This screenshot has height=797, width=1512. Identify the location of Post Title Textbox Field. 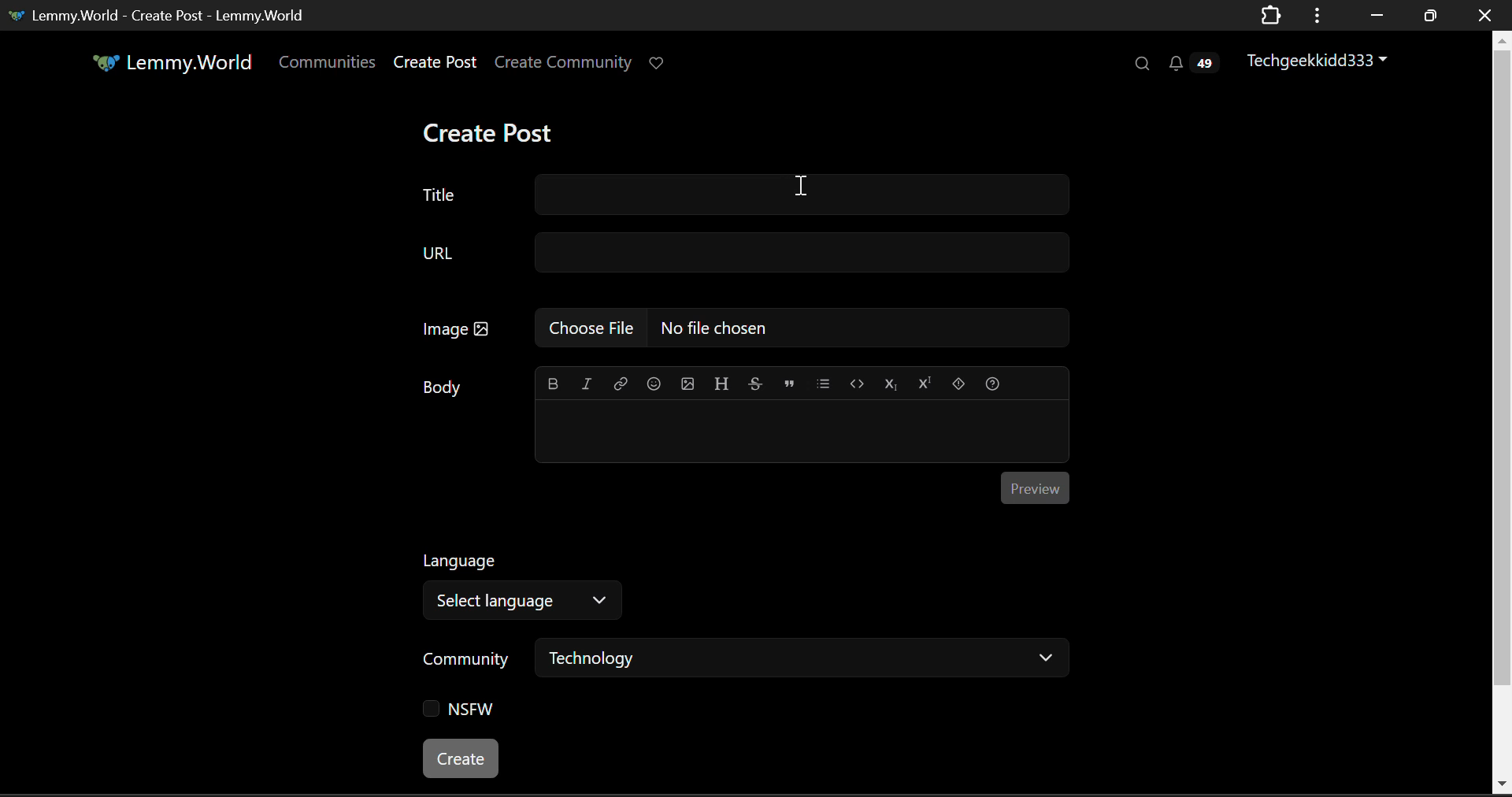
(733, 195).